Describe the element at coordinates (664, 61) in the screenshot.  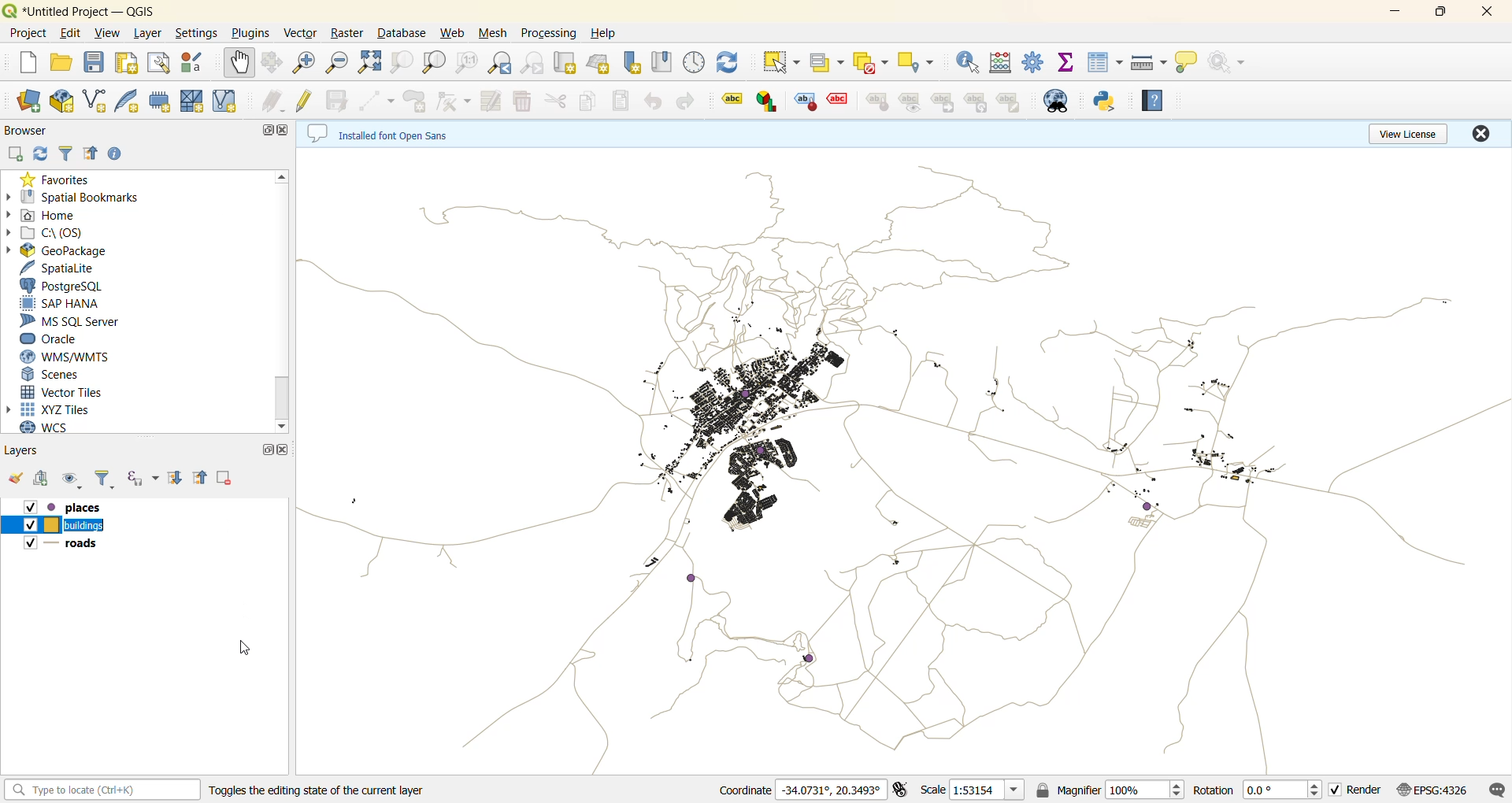
I see `show spatial bookmark` at that location.